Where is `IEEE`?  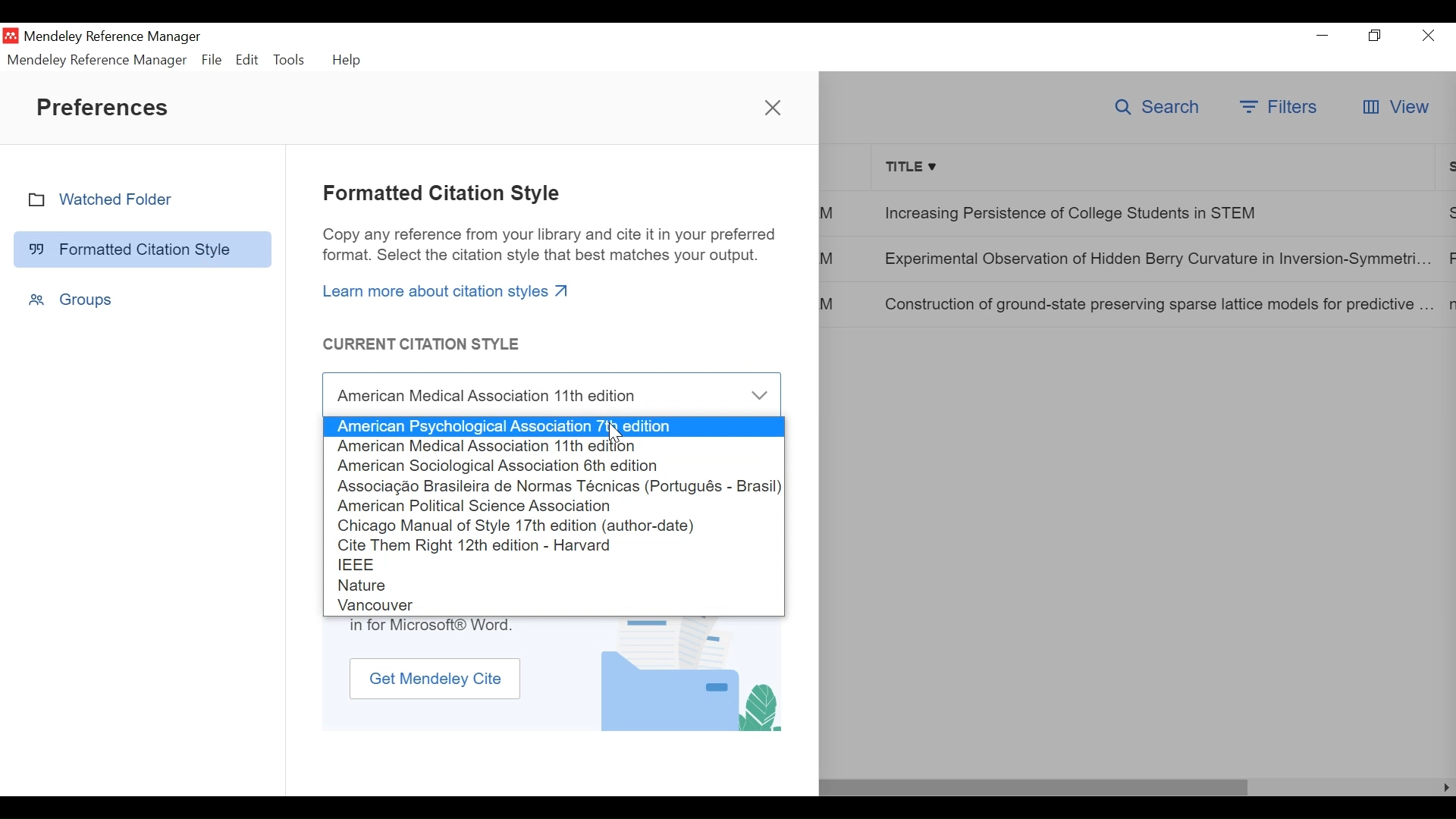
IEEE is located at coordinates (554, 565).